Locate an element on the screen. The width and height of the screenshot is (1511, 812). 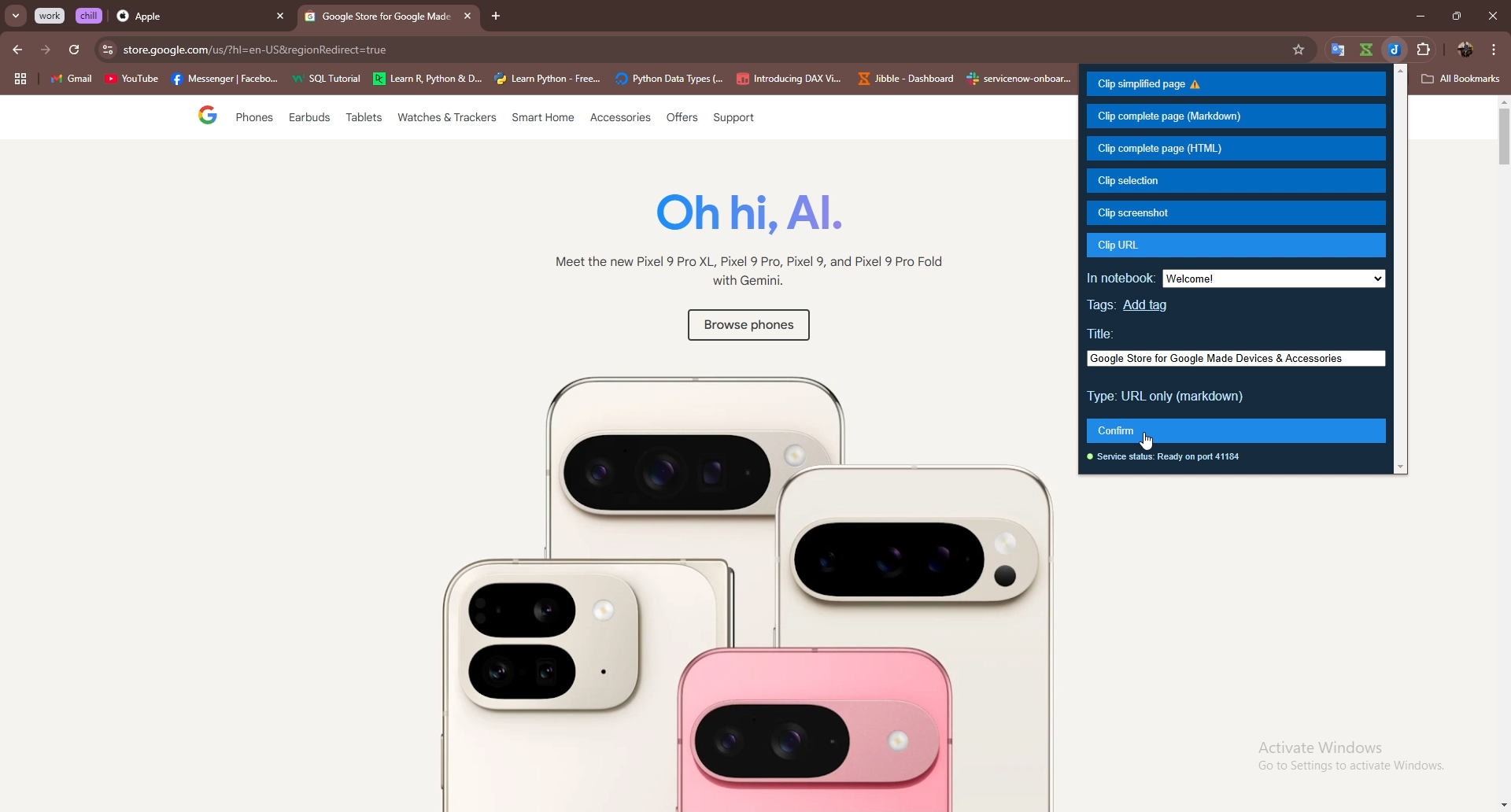
close is located at coordinates (1492, 16).